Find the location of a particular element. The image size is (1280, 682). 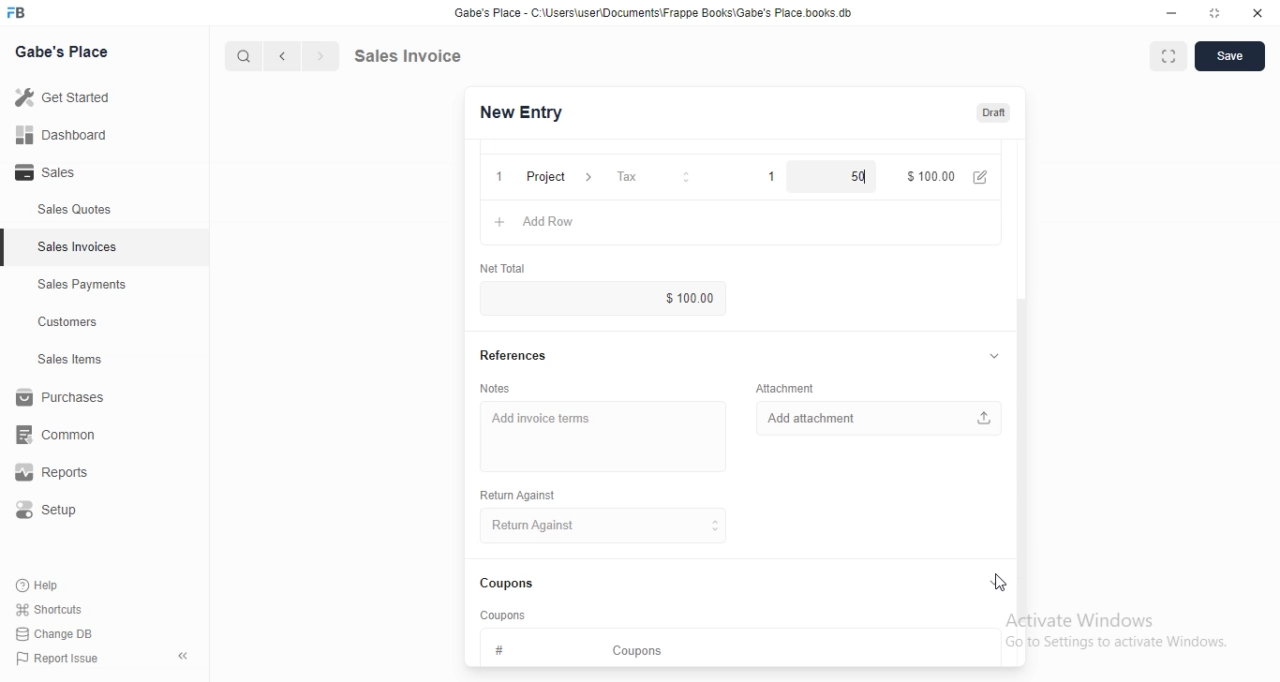

minimize is located at coordinates (1163, 15).